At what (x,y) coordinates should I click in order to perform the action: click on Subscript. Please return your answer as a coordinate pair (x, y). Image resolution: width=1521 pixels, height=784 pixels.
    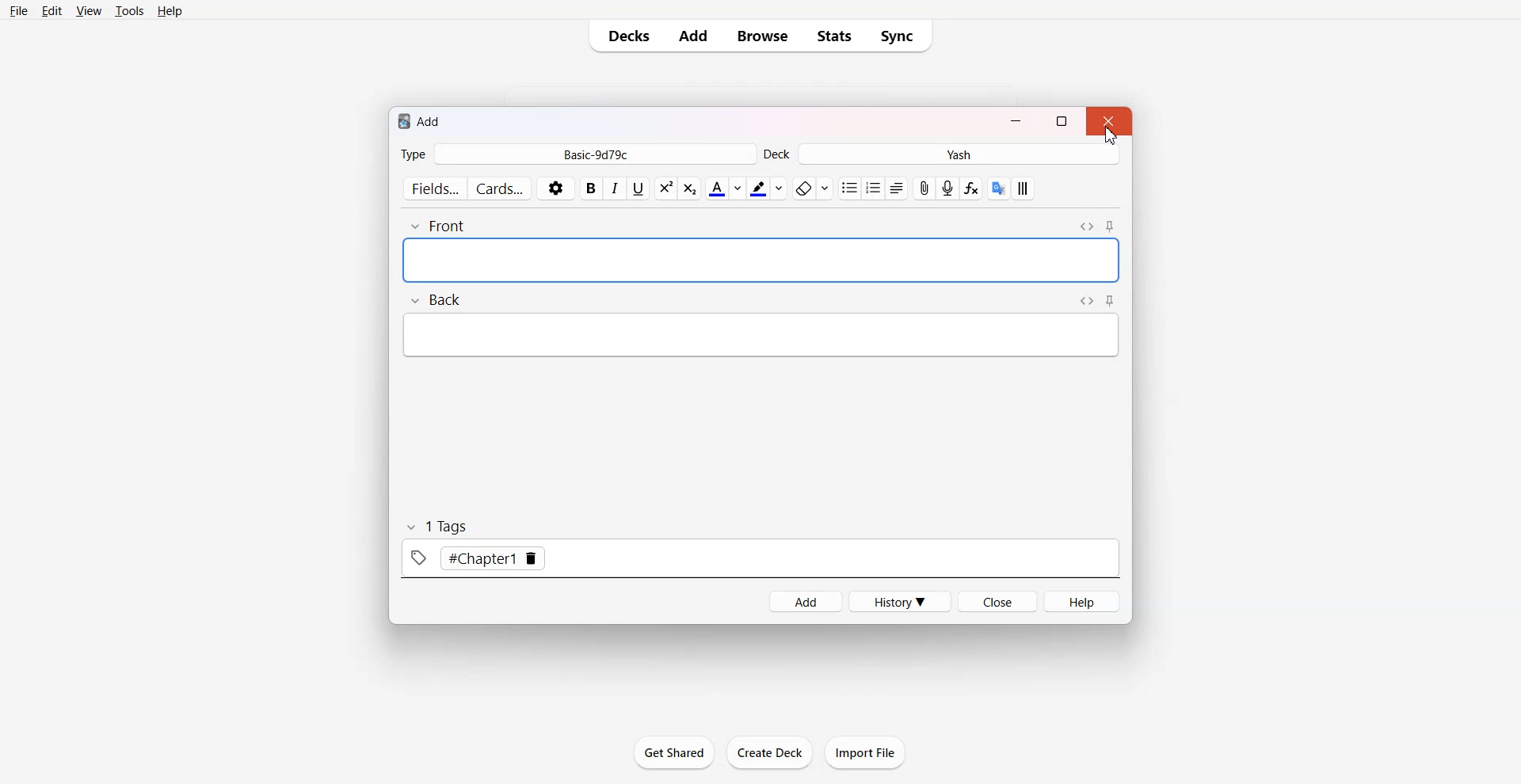
    Looking at the image, I should click on (665, 188).